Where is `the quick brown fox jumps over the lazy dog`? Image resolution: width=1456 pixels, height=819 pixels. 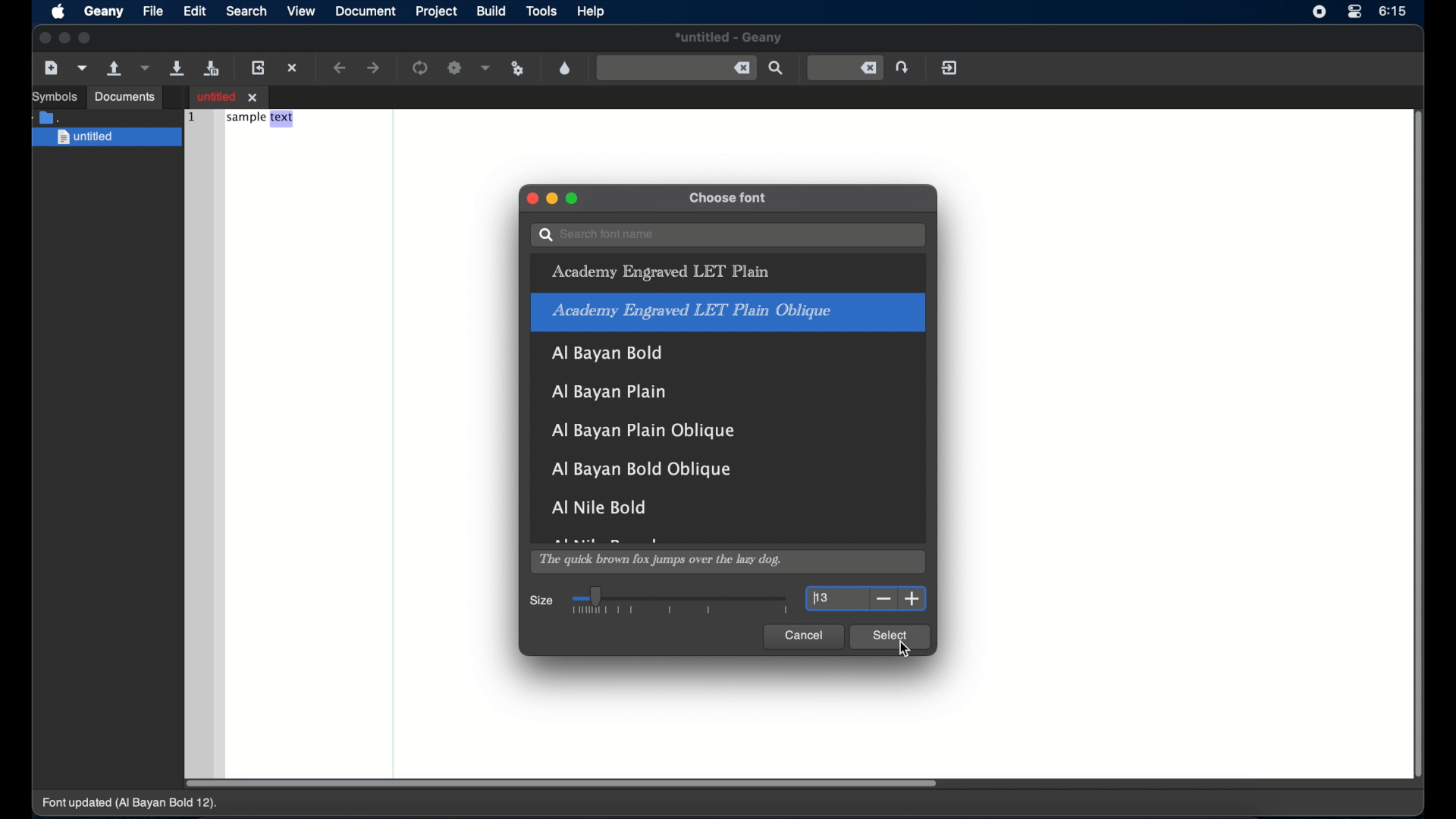 the quick brown fox jumps over the lazy dog is located at coordinates (662, 562).